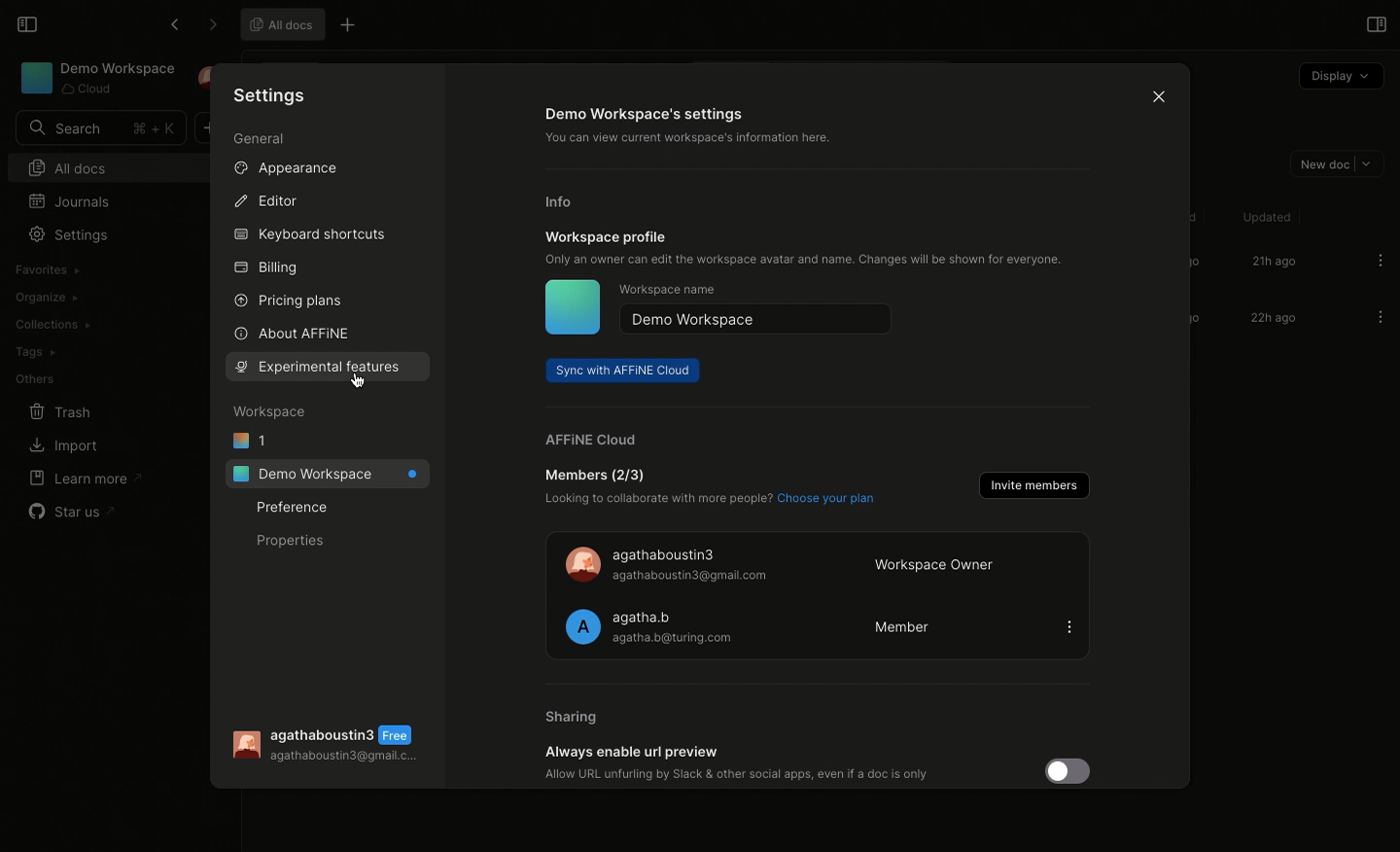 The width and height of the screenshot is (1400, 852). What do you see at coordinates (1381, 260) in the screenshot?
I see `Options` at bounding box center [1381, 260].